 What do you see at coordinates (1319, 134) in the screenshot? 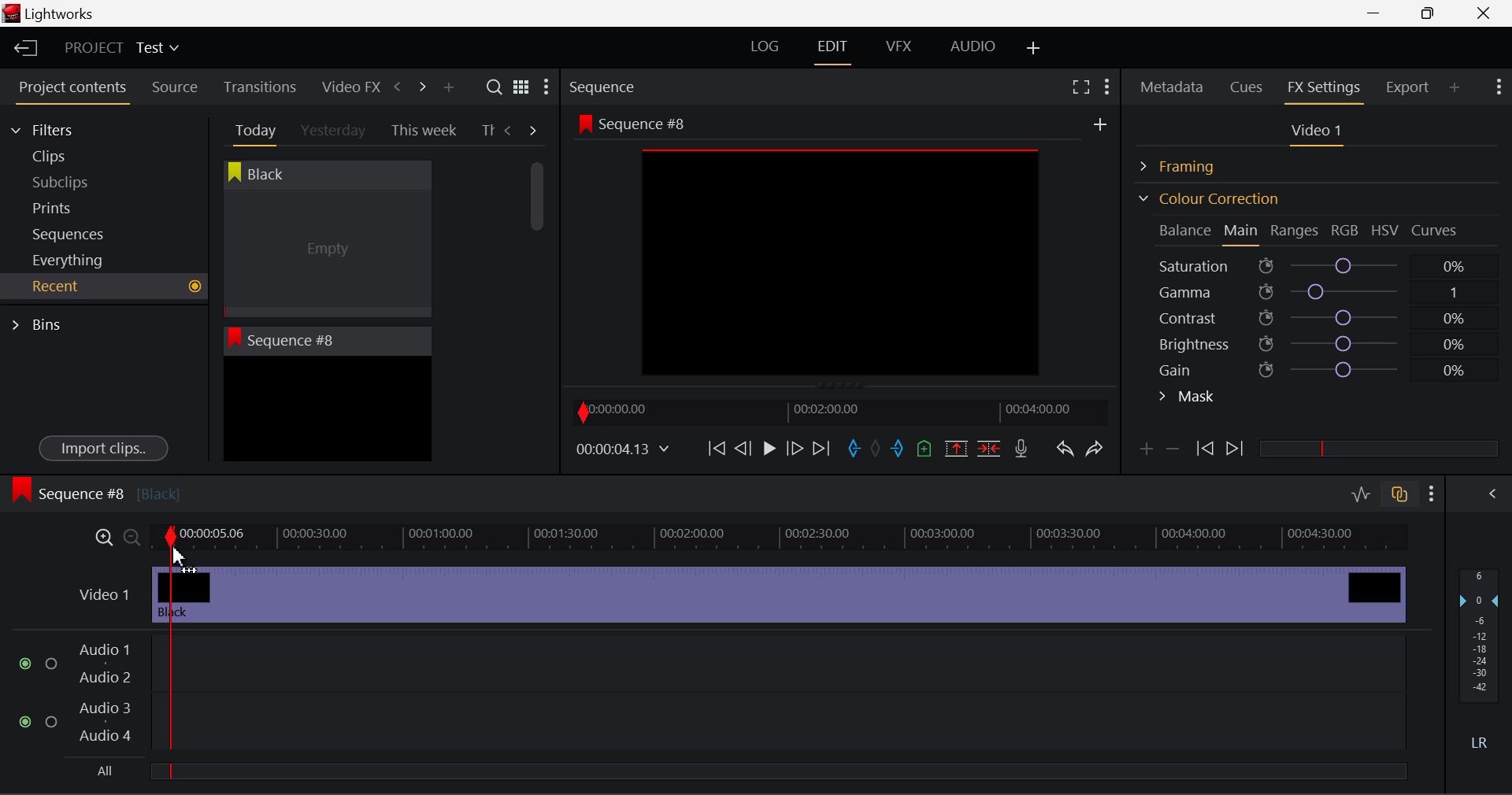
I see `Video 1 Settings` at bounding box center [1319, 134].